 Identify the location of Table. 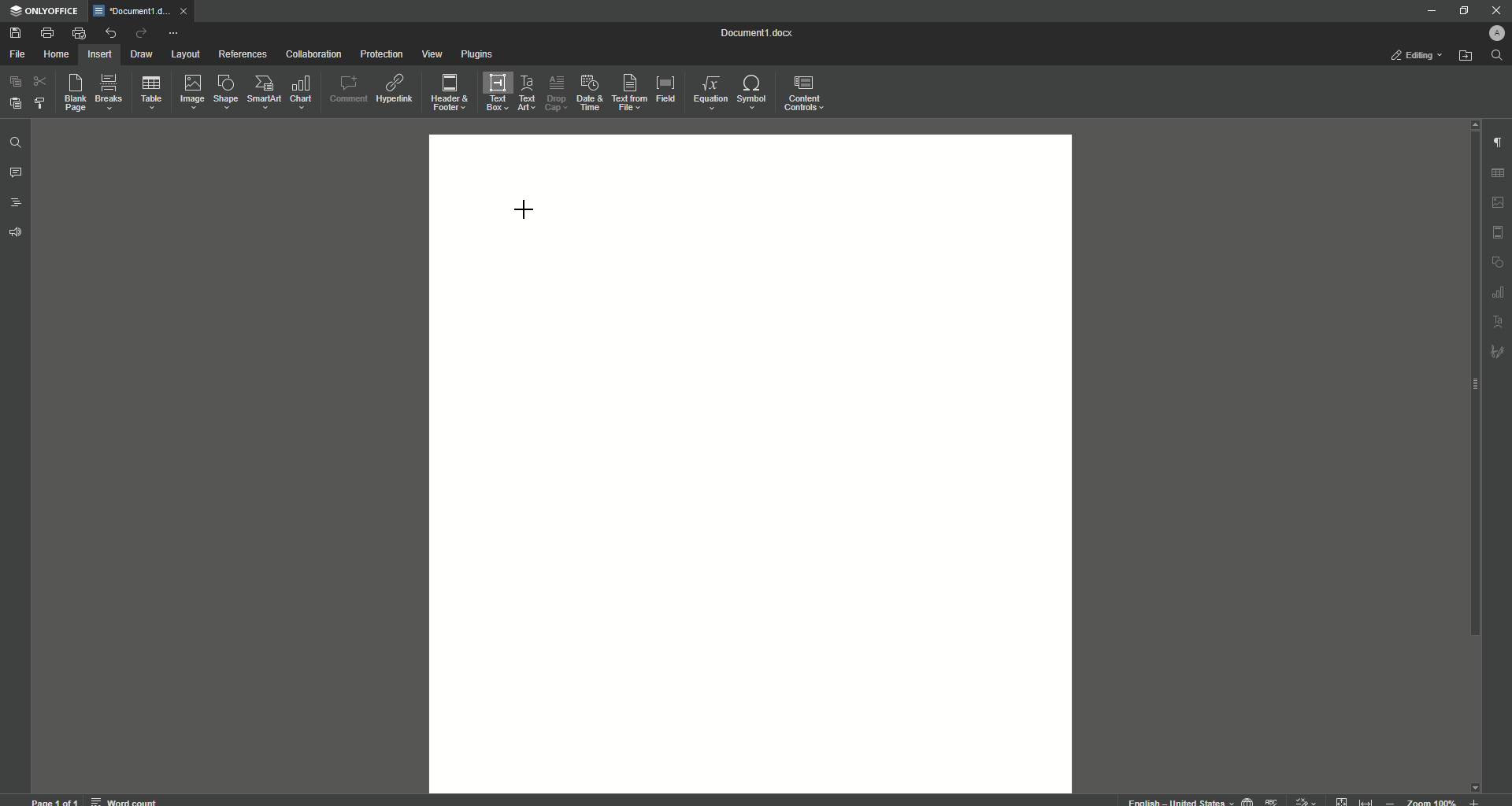
(151, 95).